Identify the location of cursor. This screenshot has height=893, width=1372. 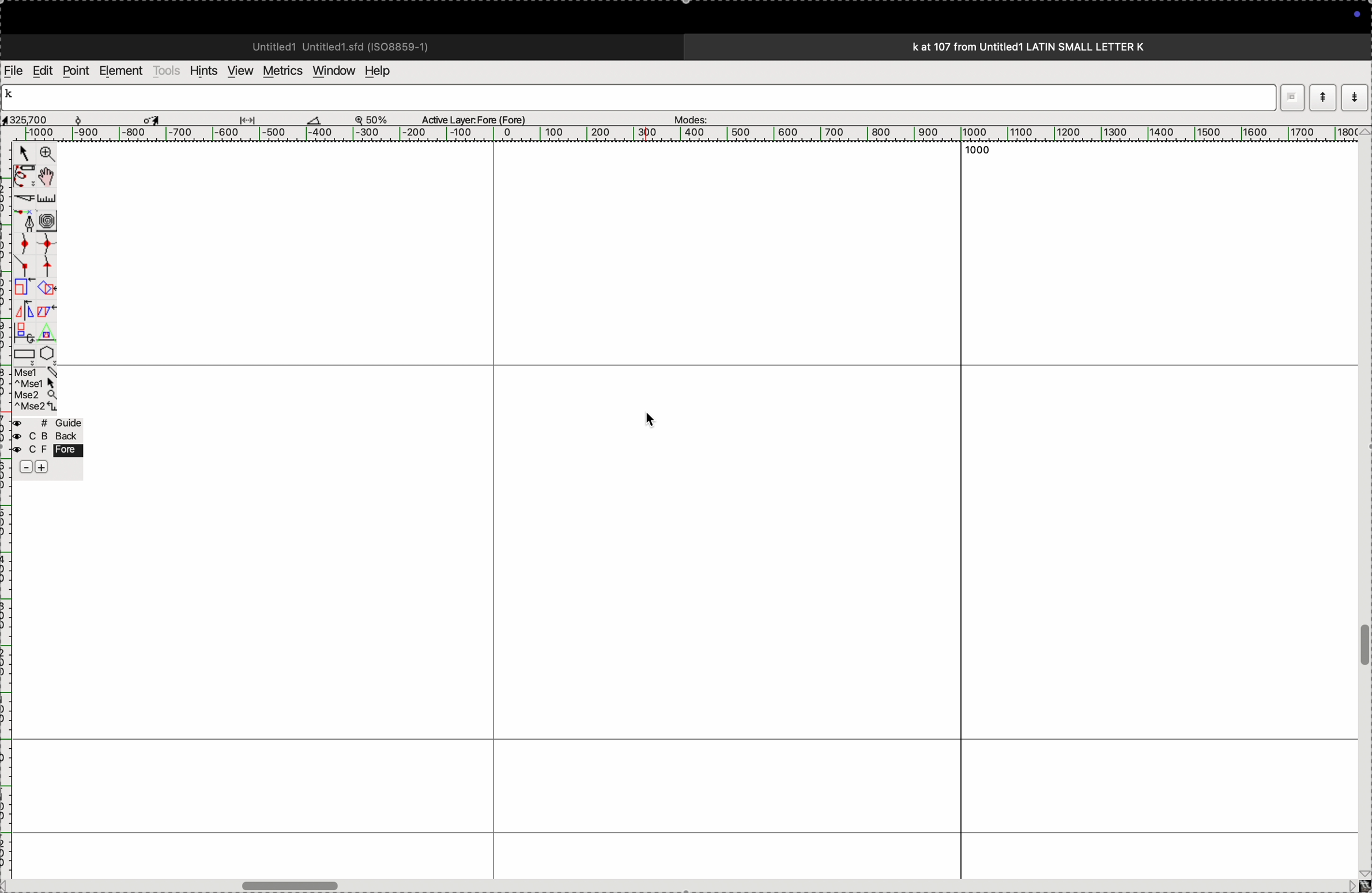
(652, 421).